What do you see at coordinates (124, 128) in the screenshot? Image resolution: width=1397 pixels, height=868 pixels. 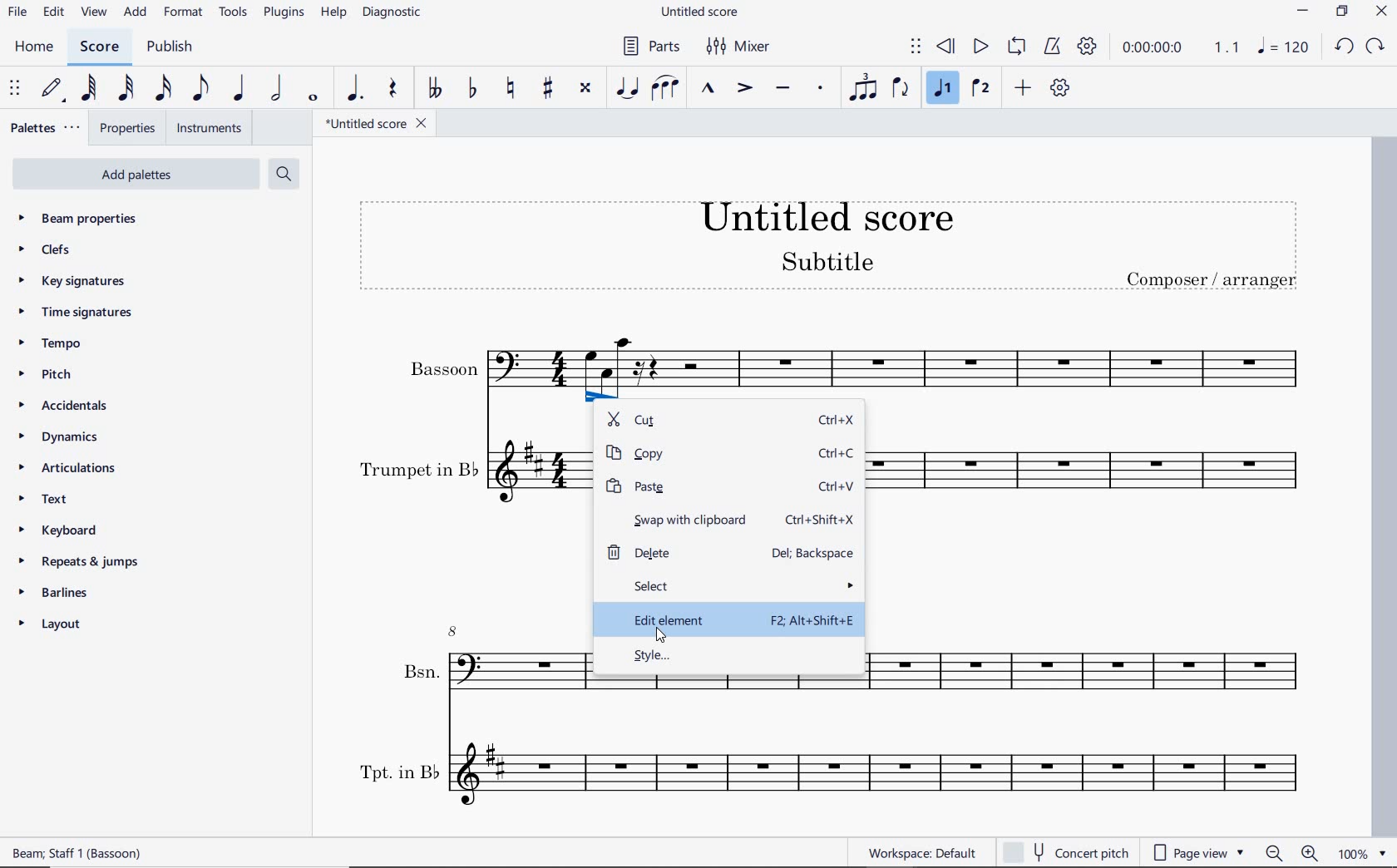 I see `properties` at bounding box center [124, 128].